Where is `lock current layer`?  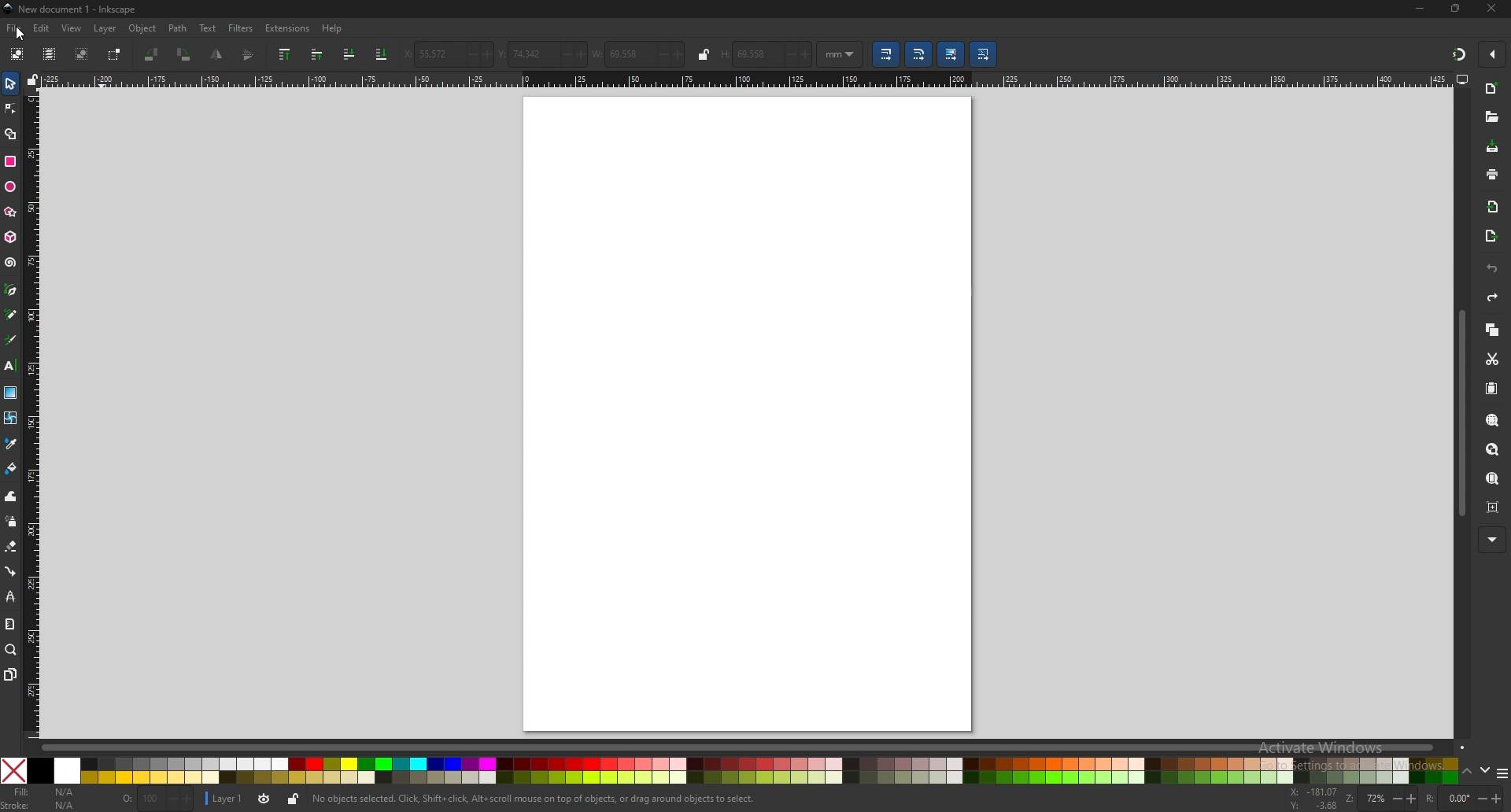 lock current layer is located at coordinates (294, 799).